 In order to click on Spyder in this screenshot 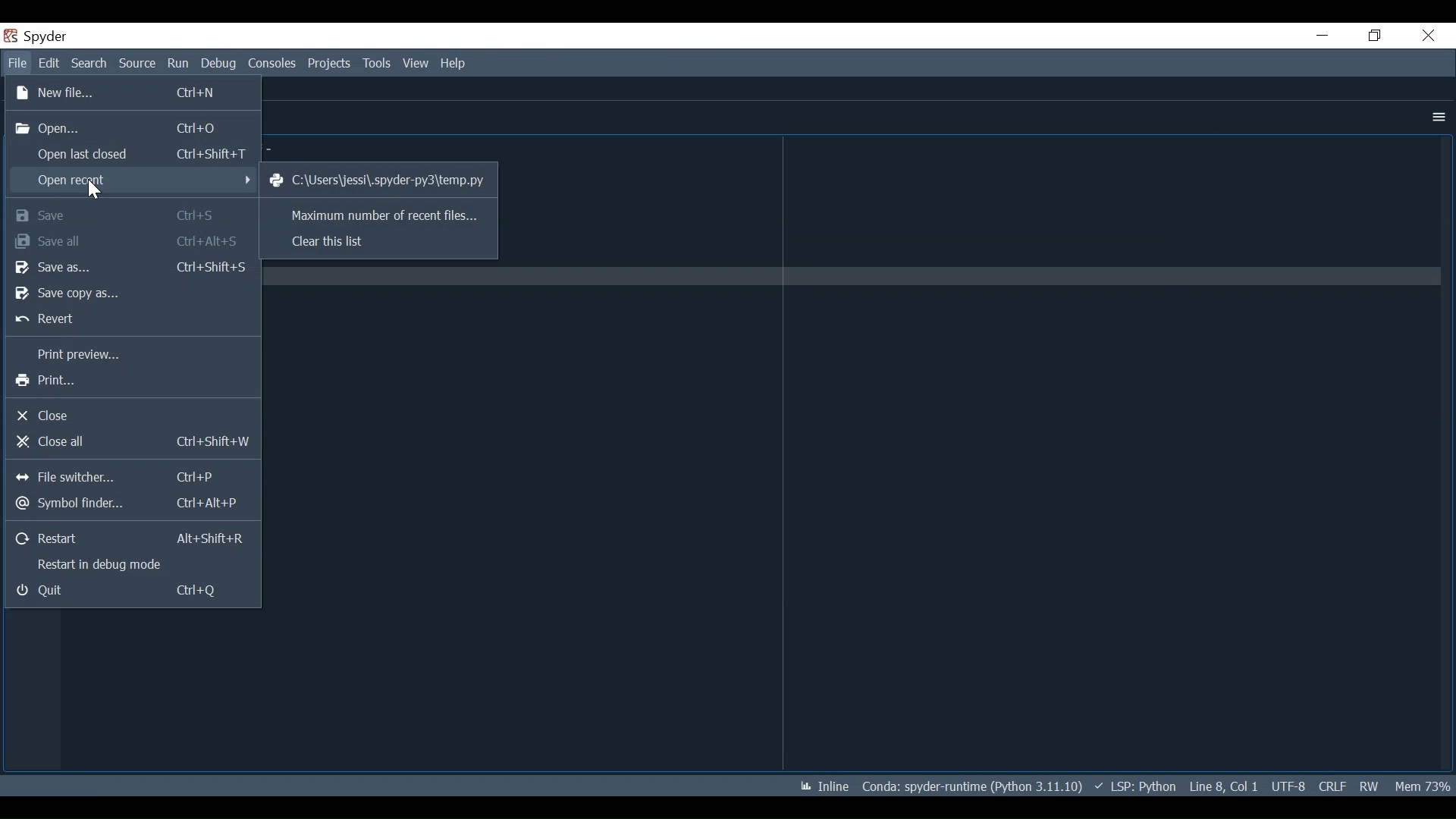, I will do `click(49, 37)`.